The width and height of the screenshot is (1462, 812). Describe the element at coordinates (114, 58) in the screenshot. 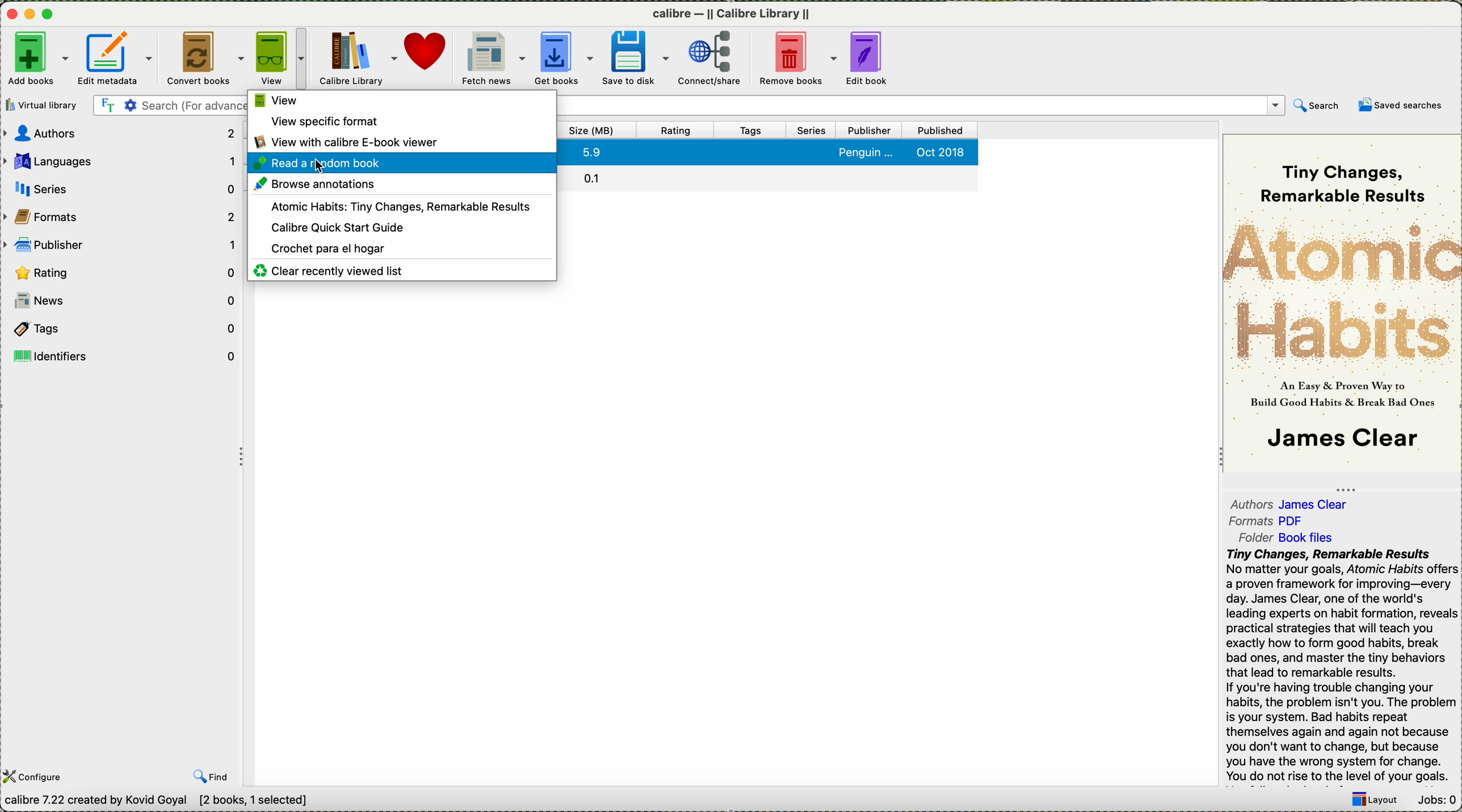

I see `edit metadata` at that location.